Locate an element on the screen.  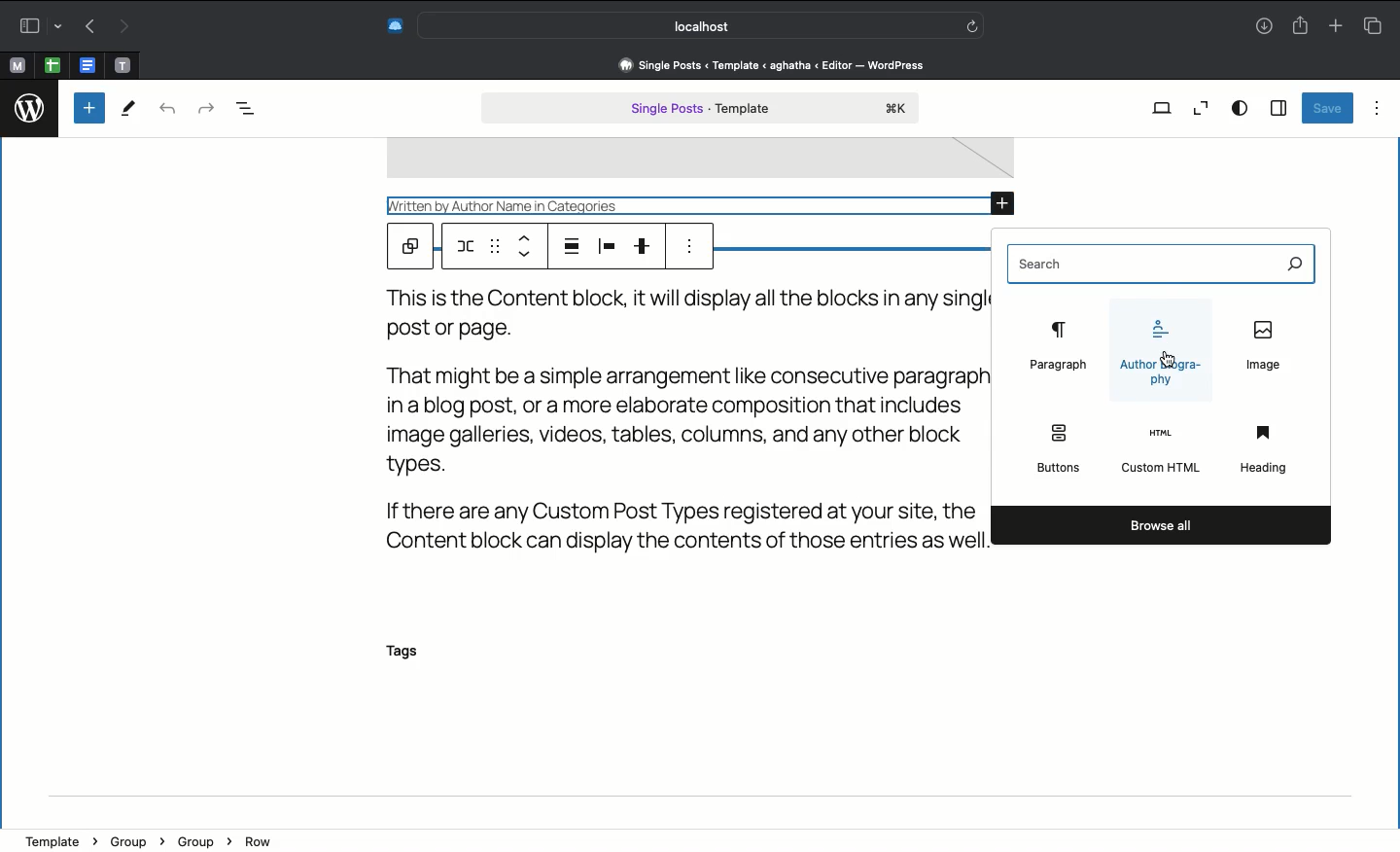
Tags is located at coordinates (413, 653).